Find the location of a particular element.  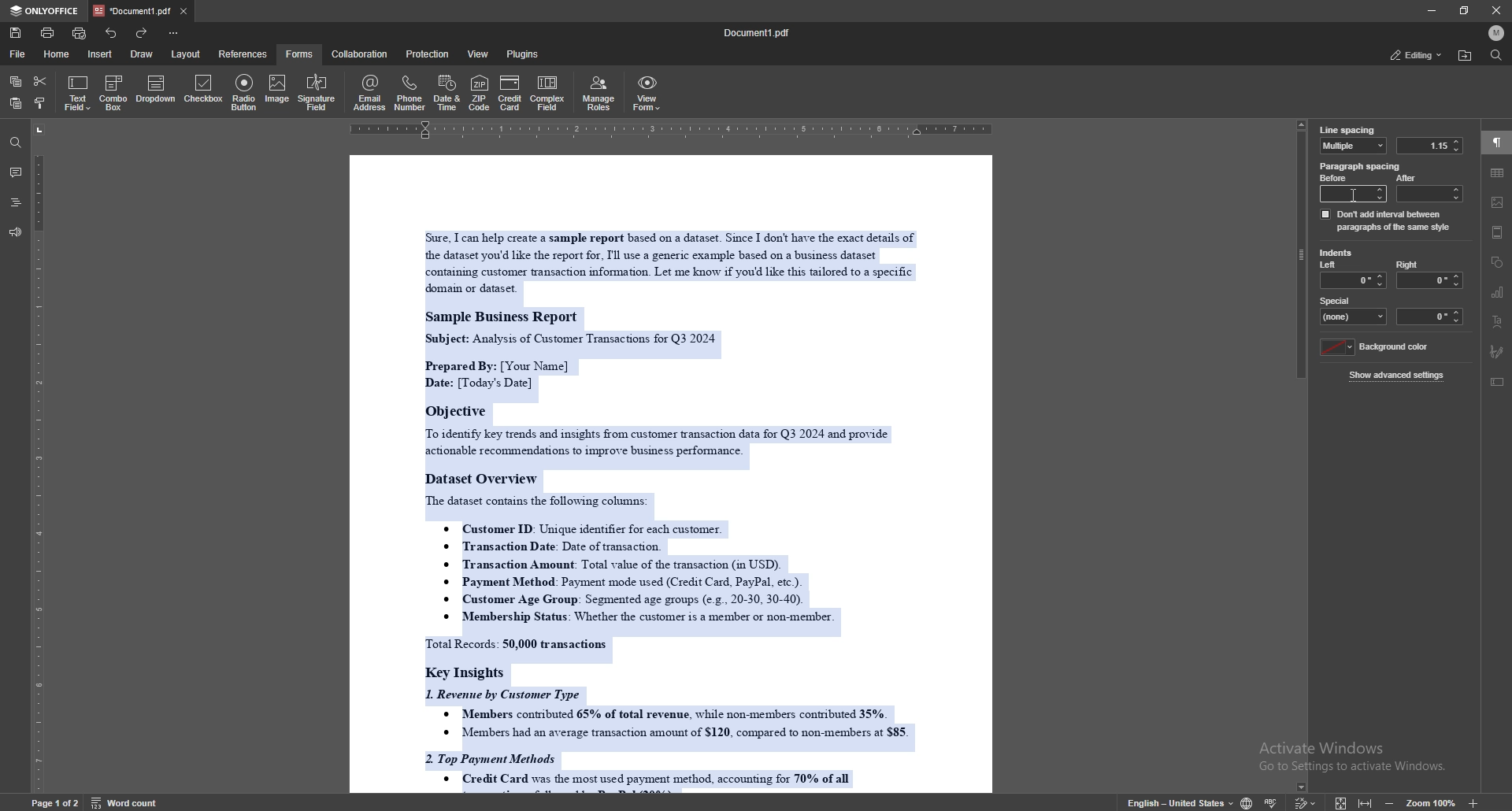

collaboration is located at coordinates (361, 54).